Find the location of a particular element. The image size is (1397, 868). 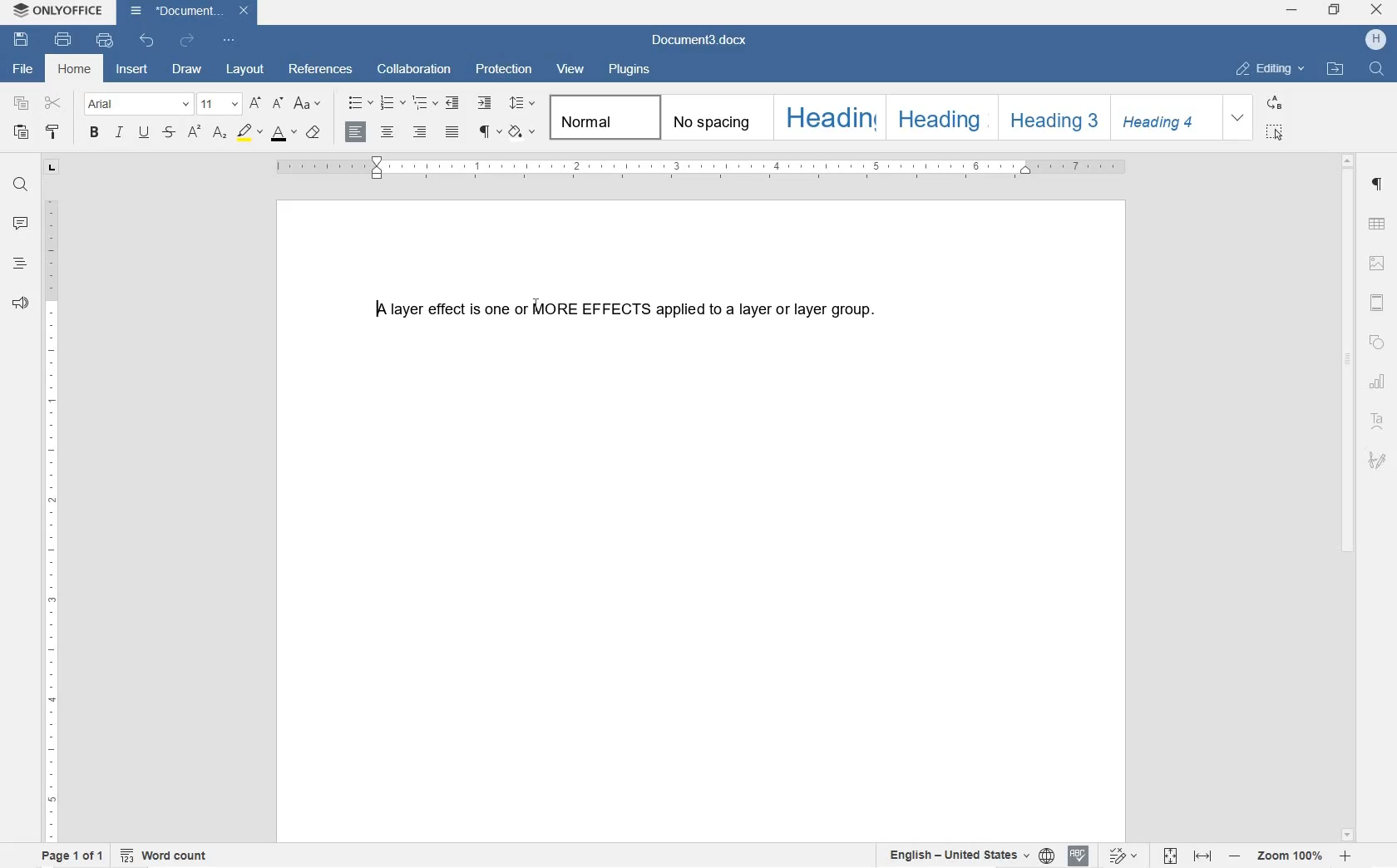

INCREASE INDENT is located at coordinates (486, 104).